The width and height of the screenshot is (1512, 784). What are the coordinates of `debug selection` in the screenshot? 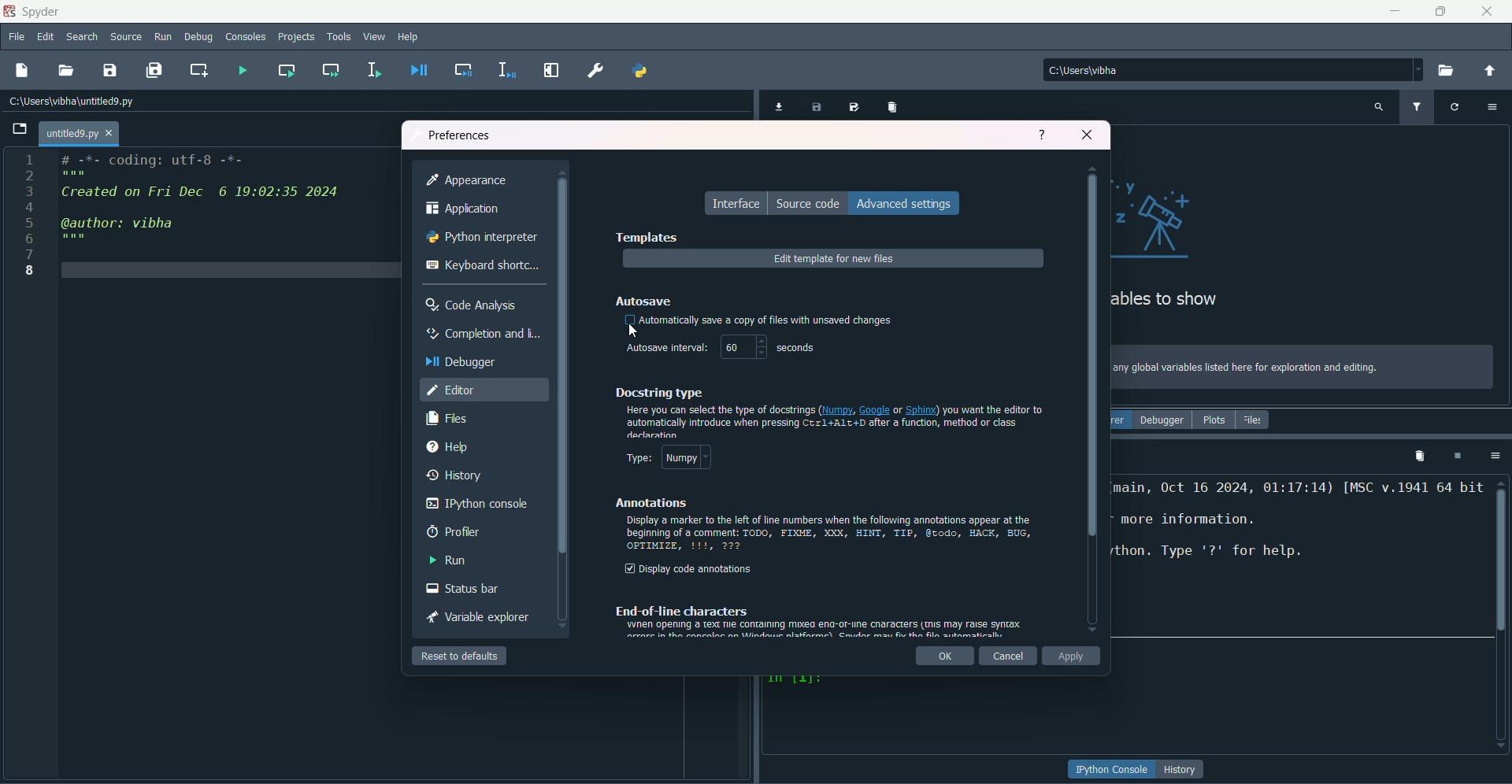 It's located at (504, 70).